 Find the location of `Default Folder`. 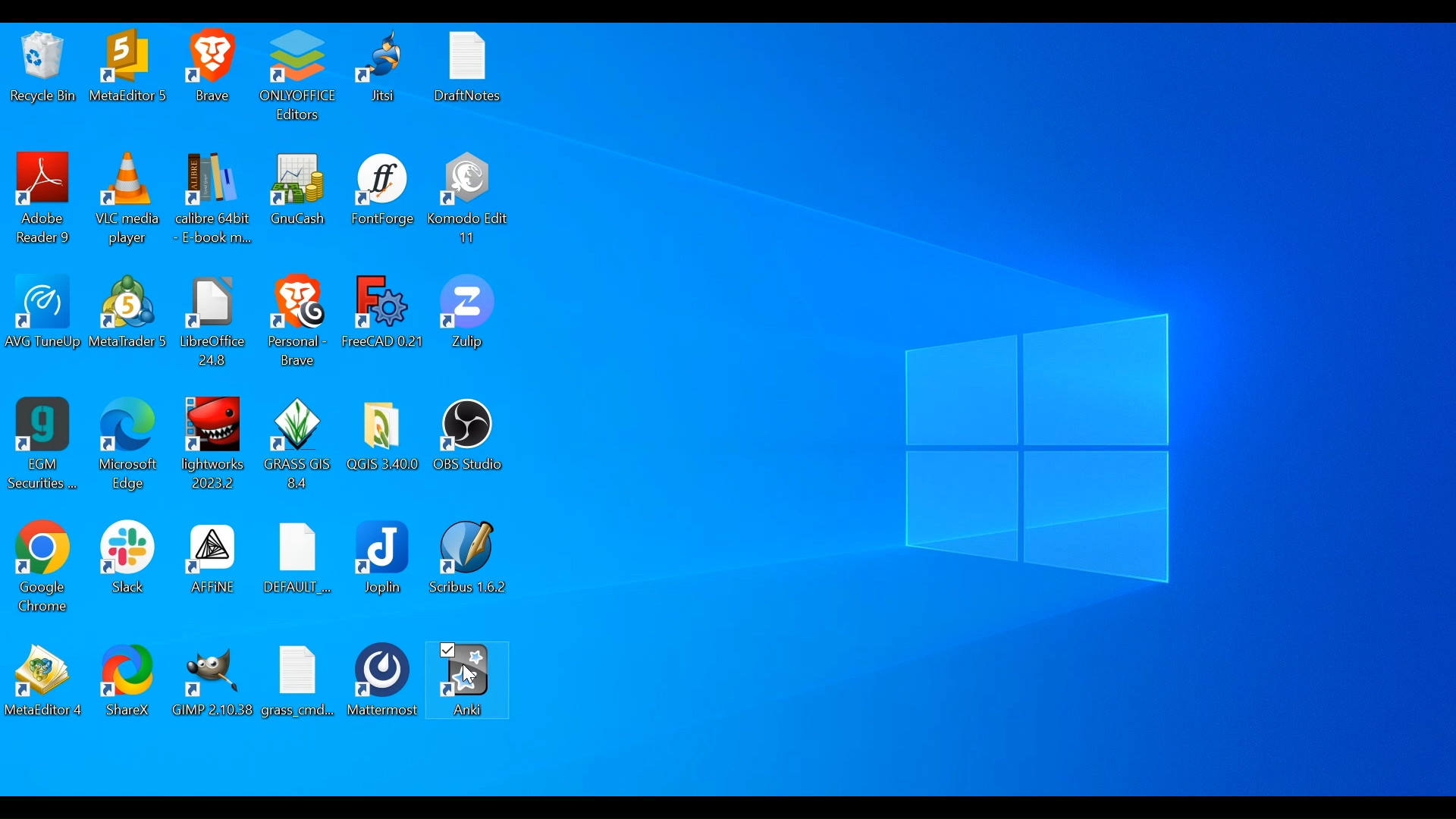

Default Folder is located at coordinates (298, 561).